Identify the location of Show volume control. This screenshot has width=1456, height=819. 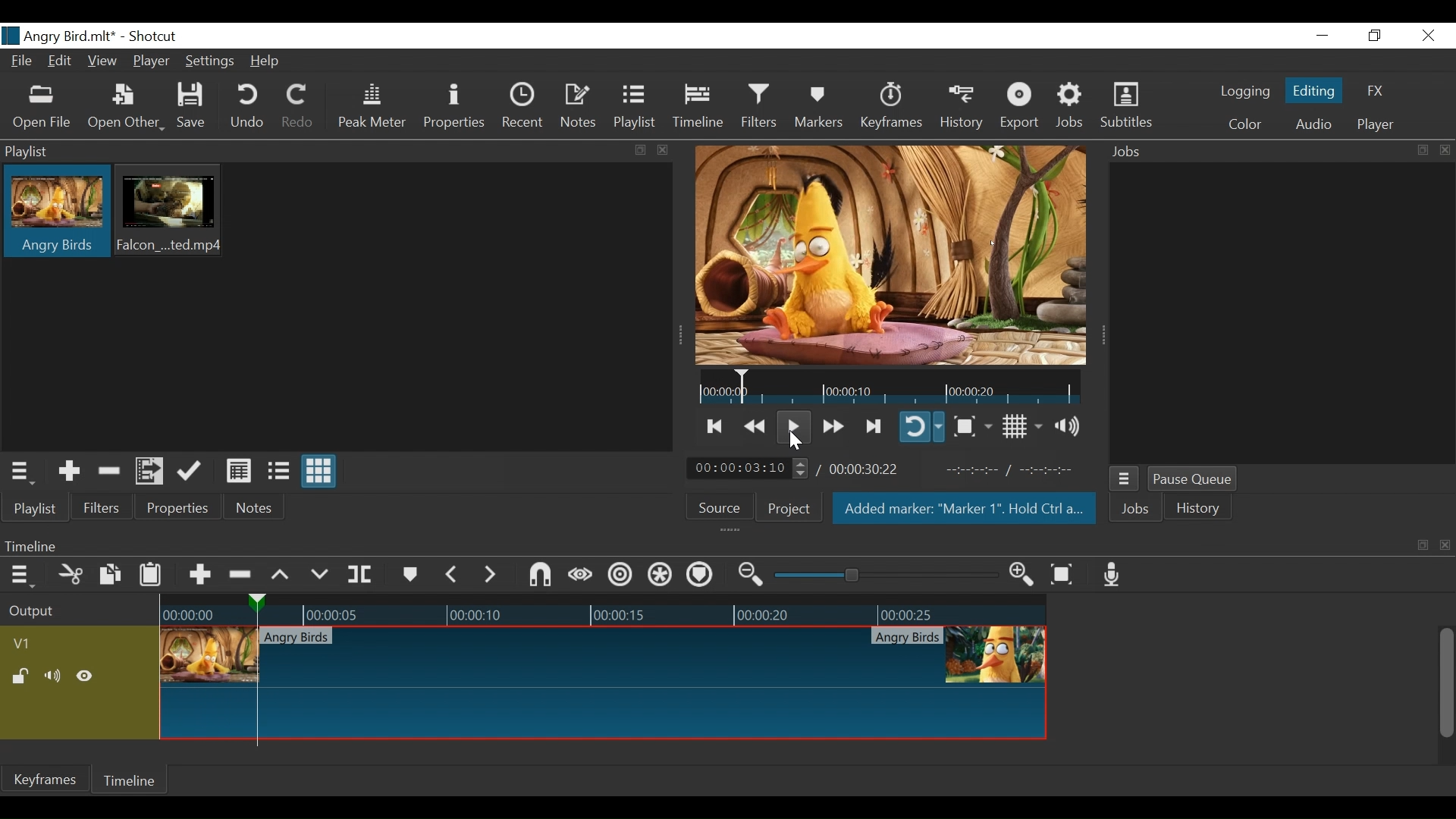
(1070, 427).